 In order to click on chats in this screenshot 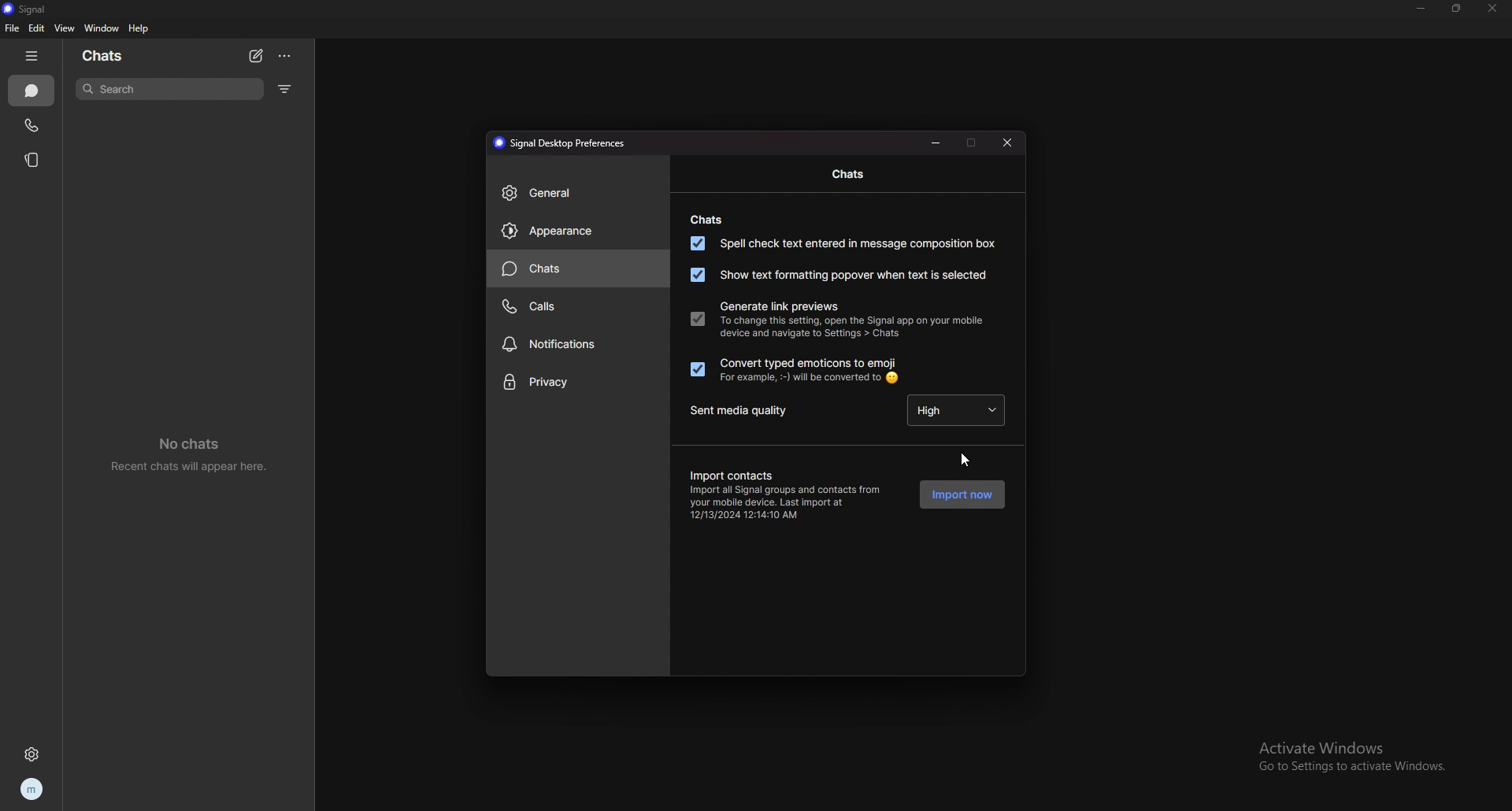, I will do `click(580, 268)`.